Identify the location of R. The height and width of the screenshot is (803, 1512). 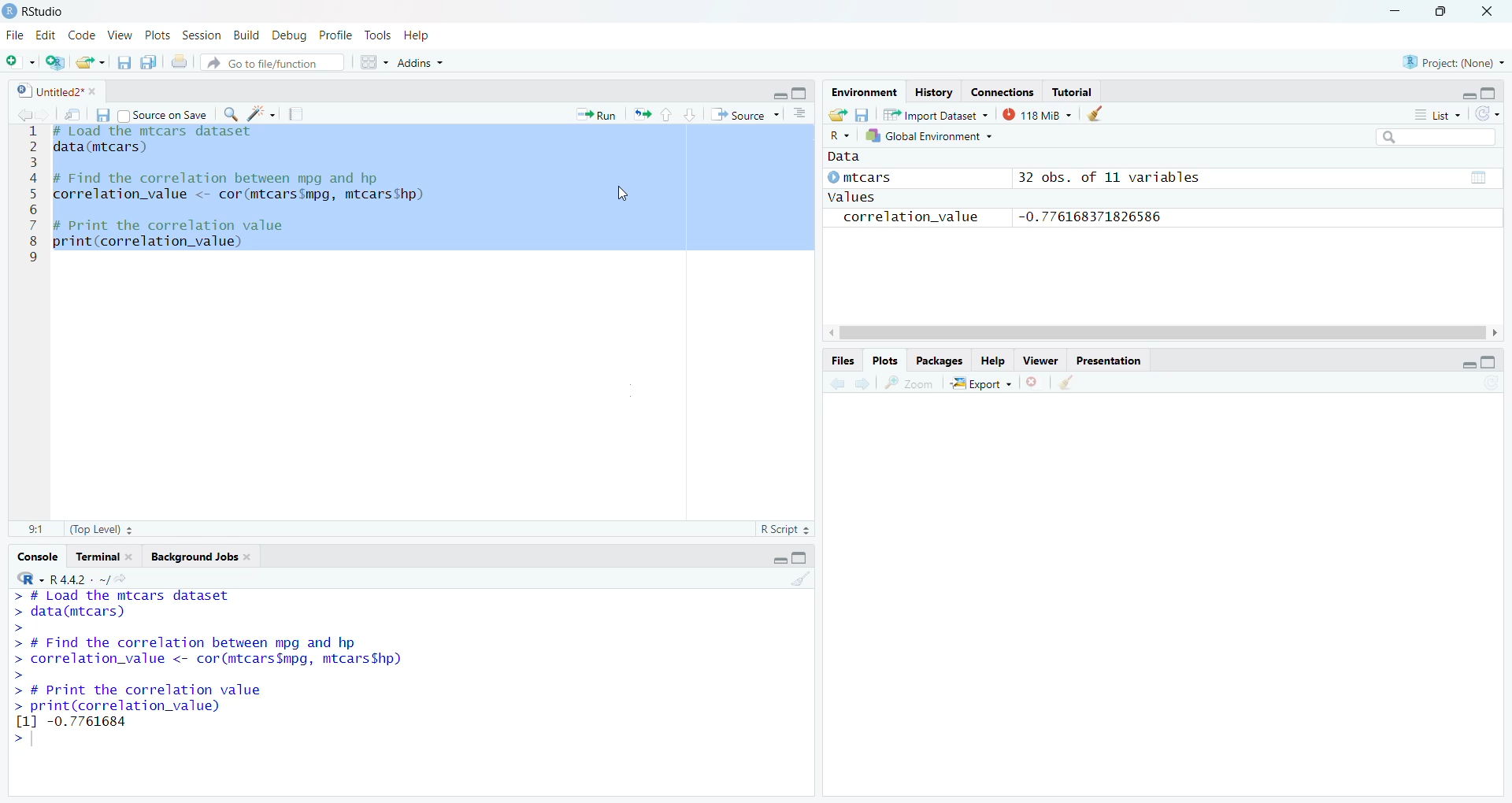
(27, 579).